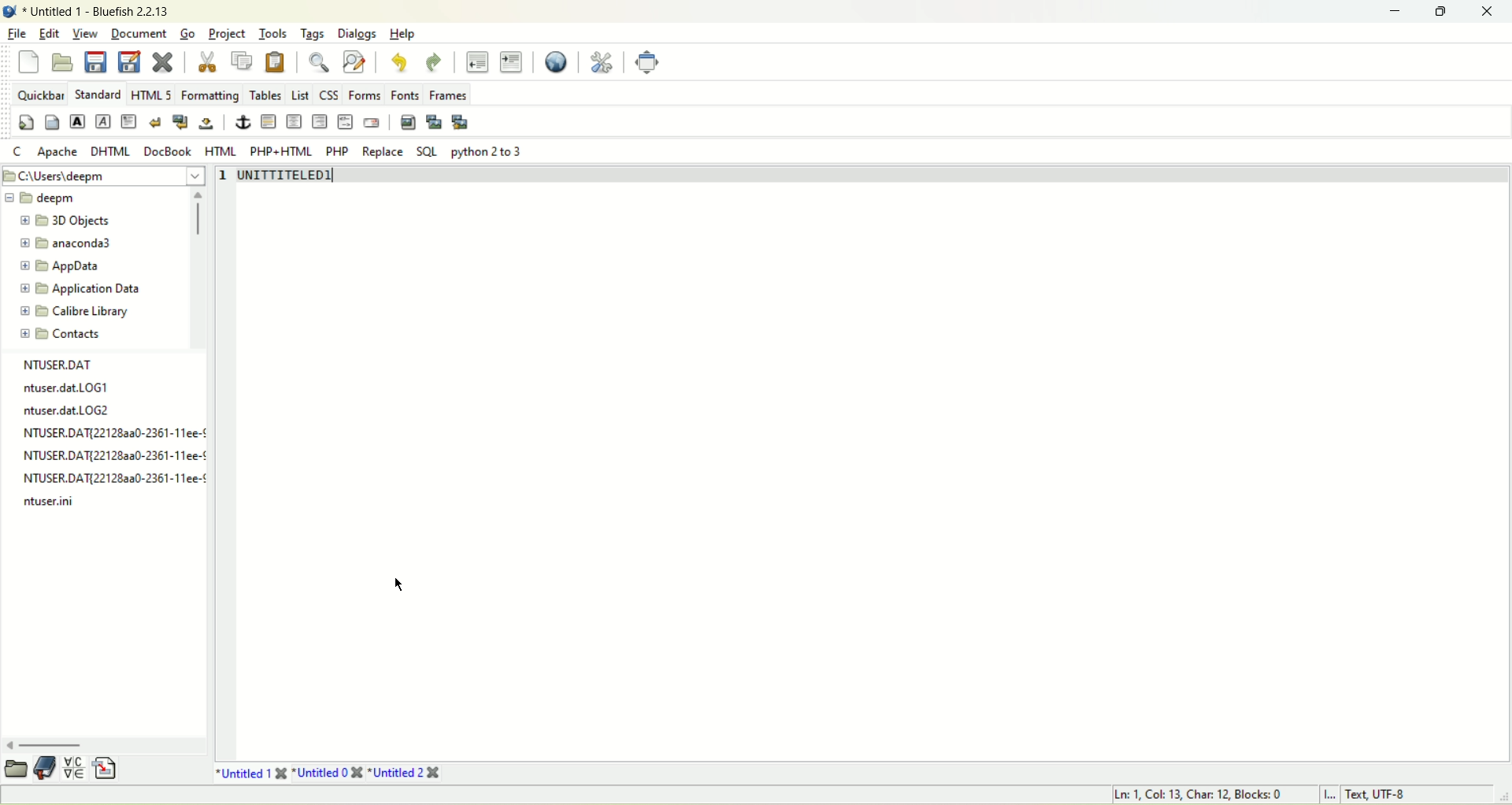  I want to click on appdata, so click(65, 263).